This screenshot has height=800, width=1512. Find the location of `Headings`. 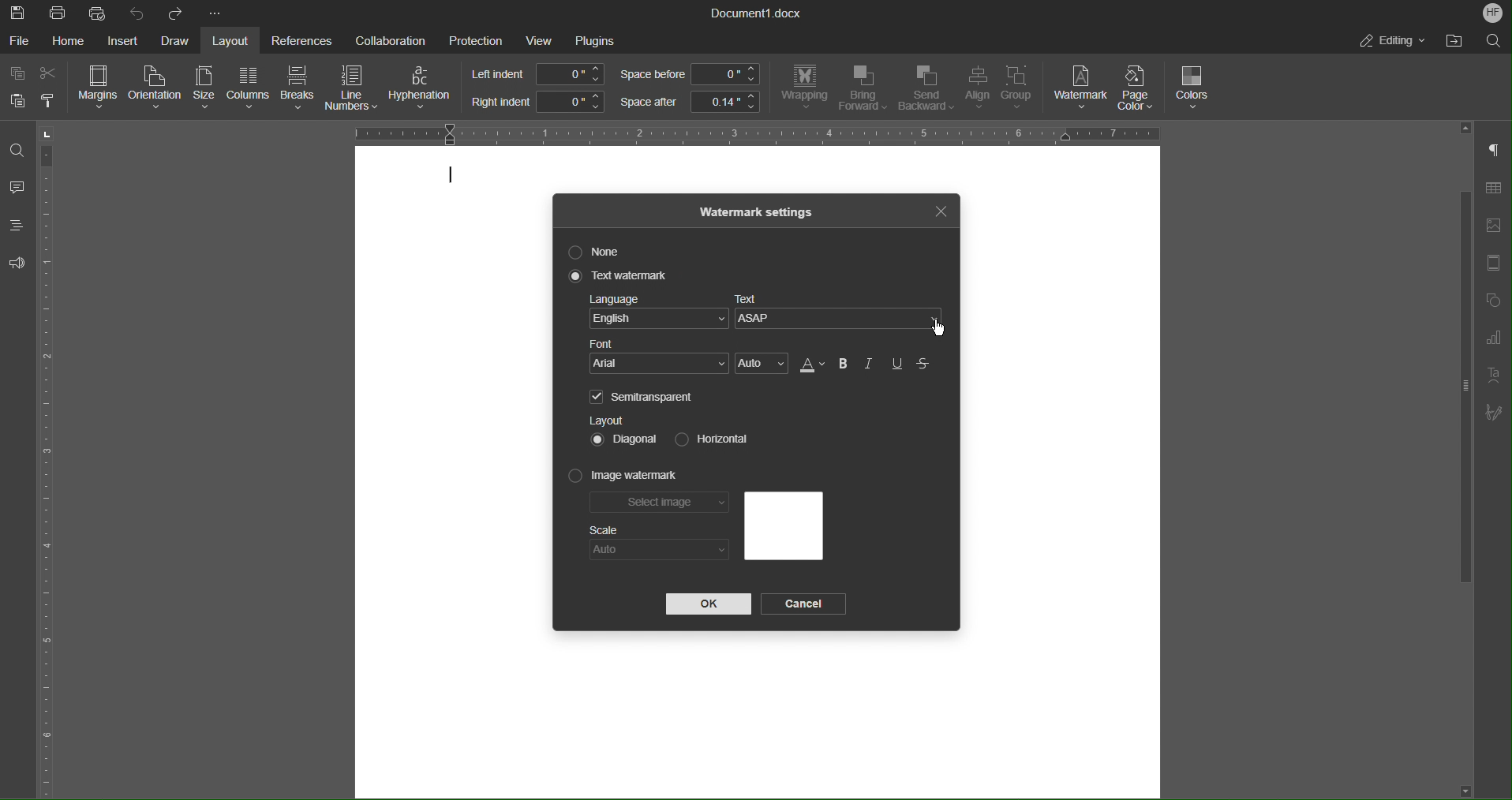

Headings is located at coordinates (16, 225).